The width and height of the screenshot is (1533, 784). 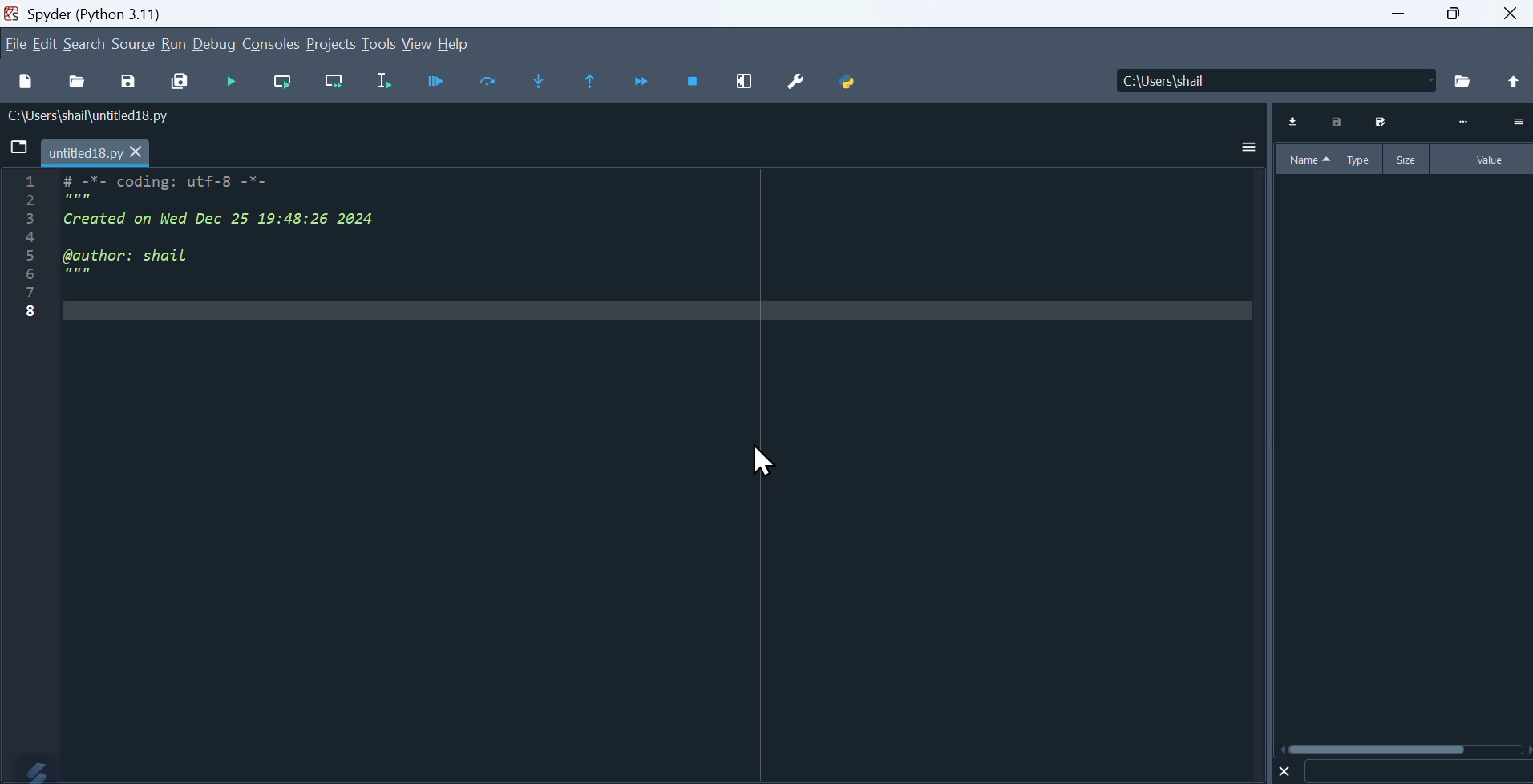 What do you see at coordinates (1512, 14) in the screenshot?
I see `Close` at bounding box center [1512, 14].